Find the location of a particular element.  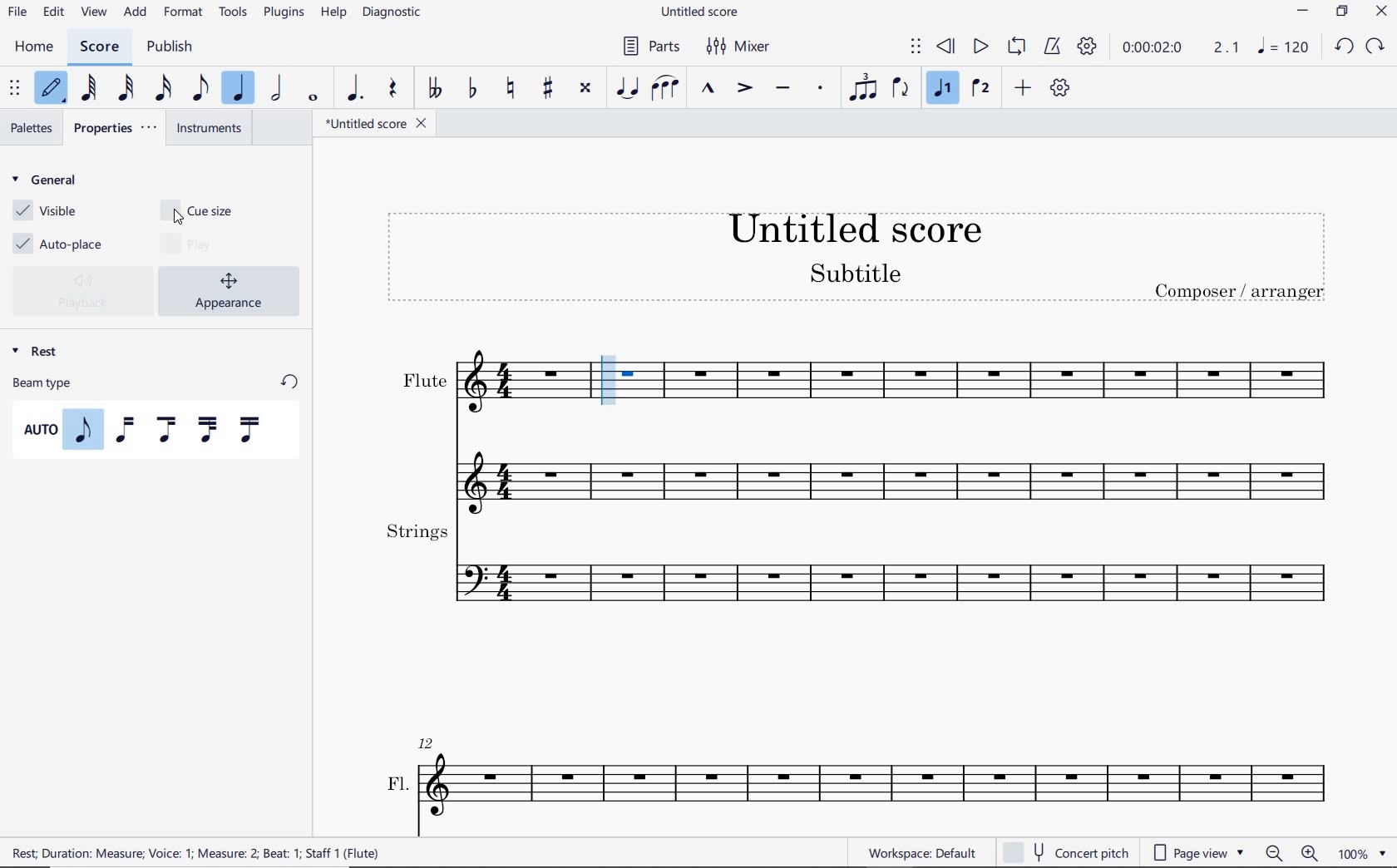

ADD is located at coordinates (1025, 87).